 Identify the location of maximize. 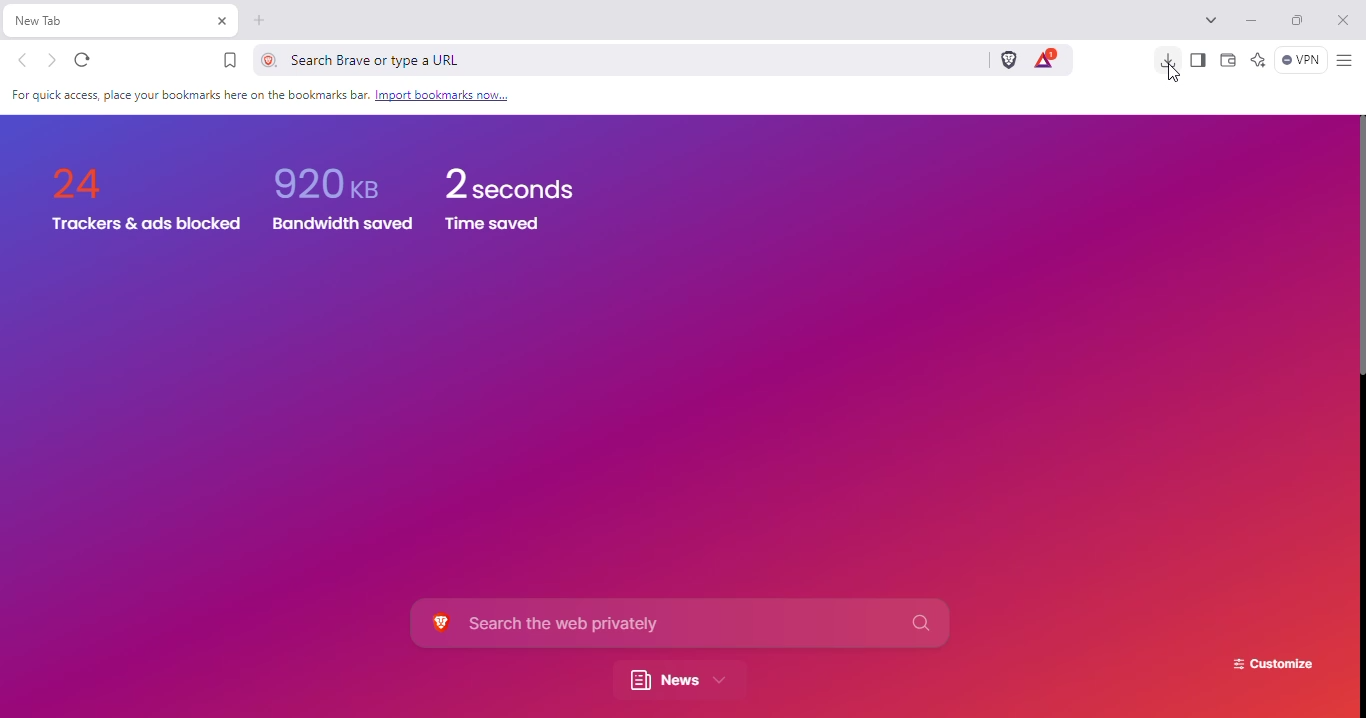
(1297, 19).